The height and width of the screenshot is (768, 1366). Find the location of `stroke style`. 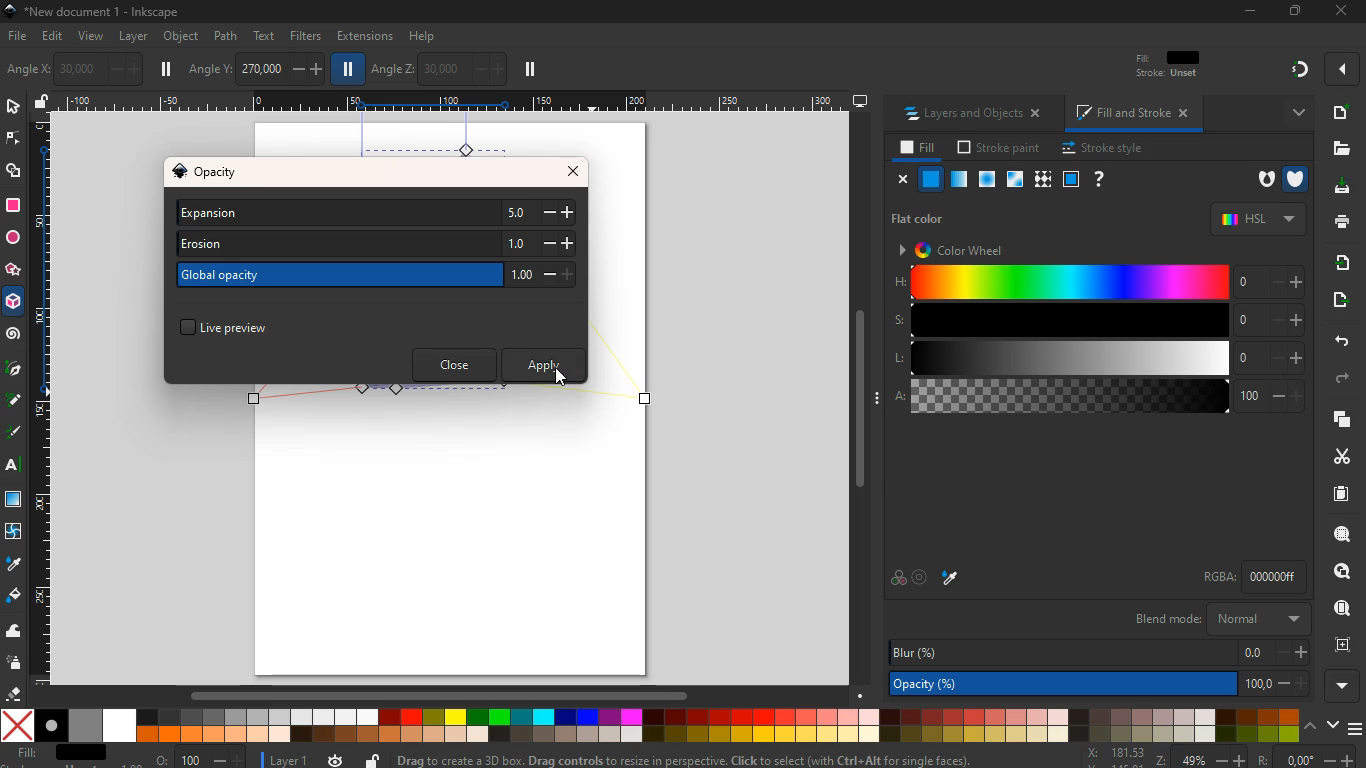

stroke style is located at coordinates (1100, 149).